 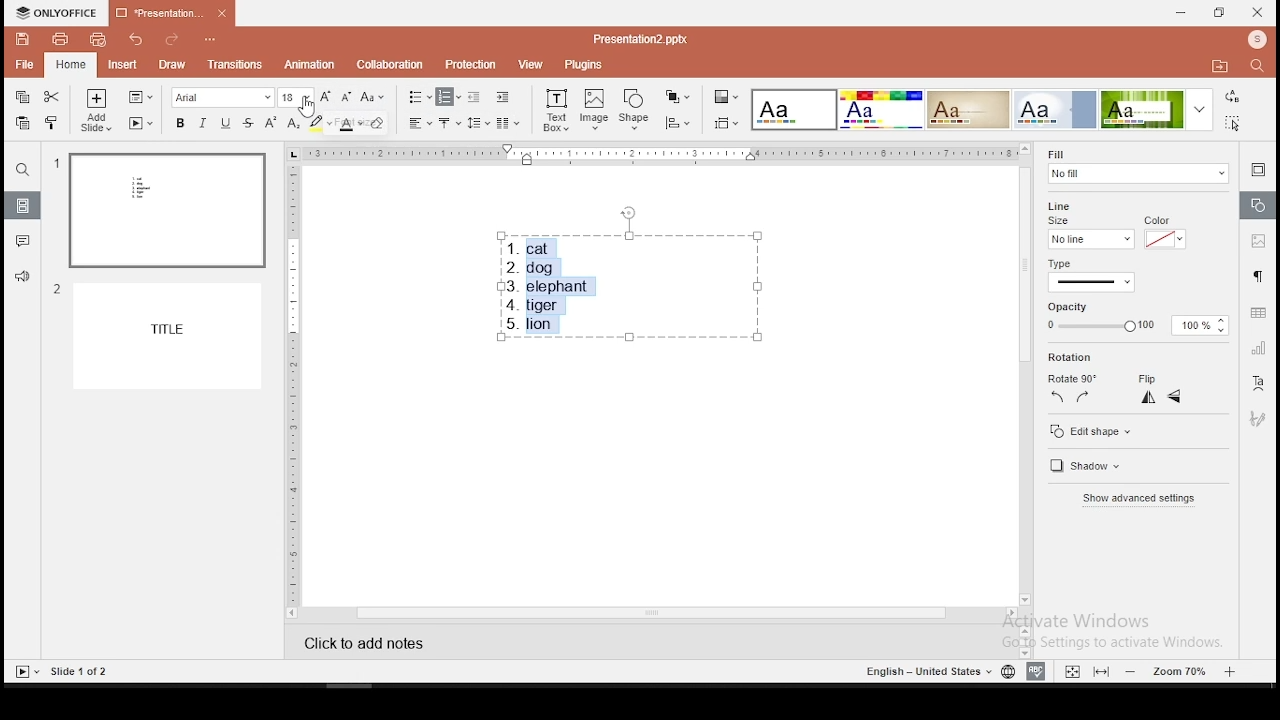 What do you see at coordinates (1257, 207) in the screenshot?
I see `shape settings` at bounding box center [1257, 207].